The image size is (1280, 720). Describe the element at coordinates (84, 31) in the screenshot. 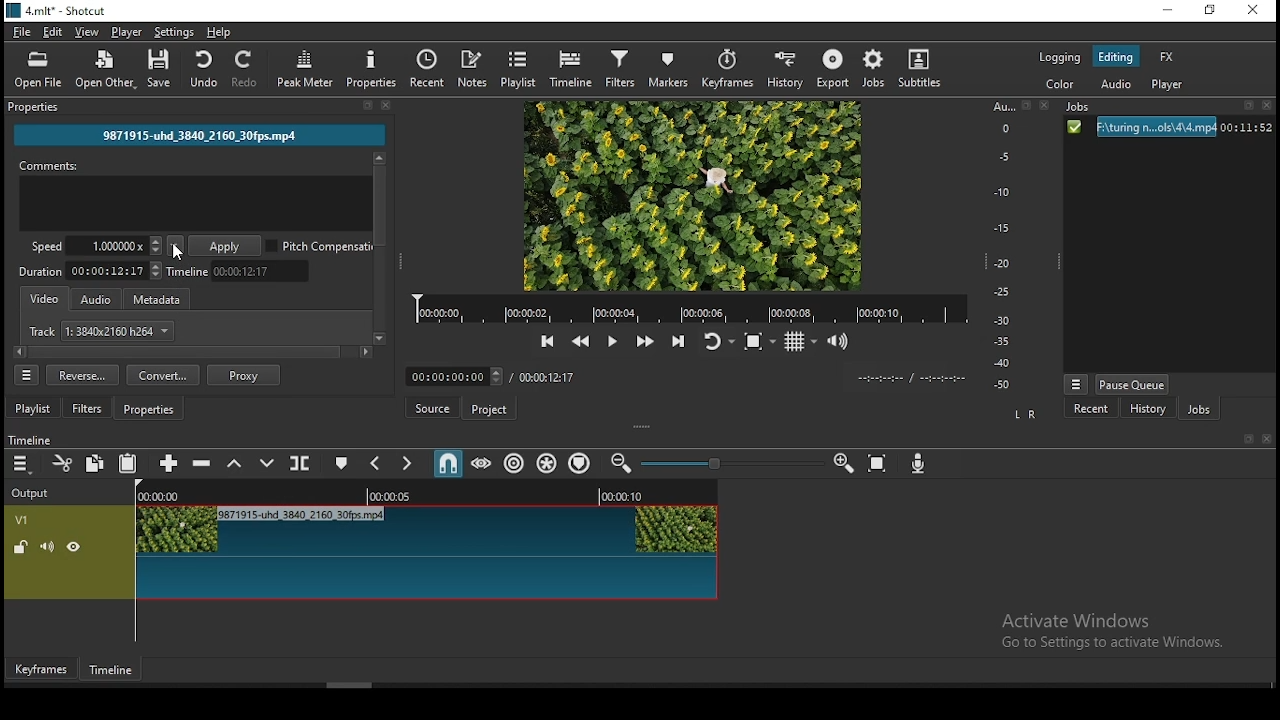

I see `view` at that location.